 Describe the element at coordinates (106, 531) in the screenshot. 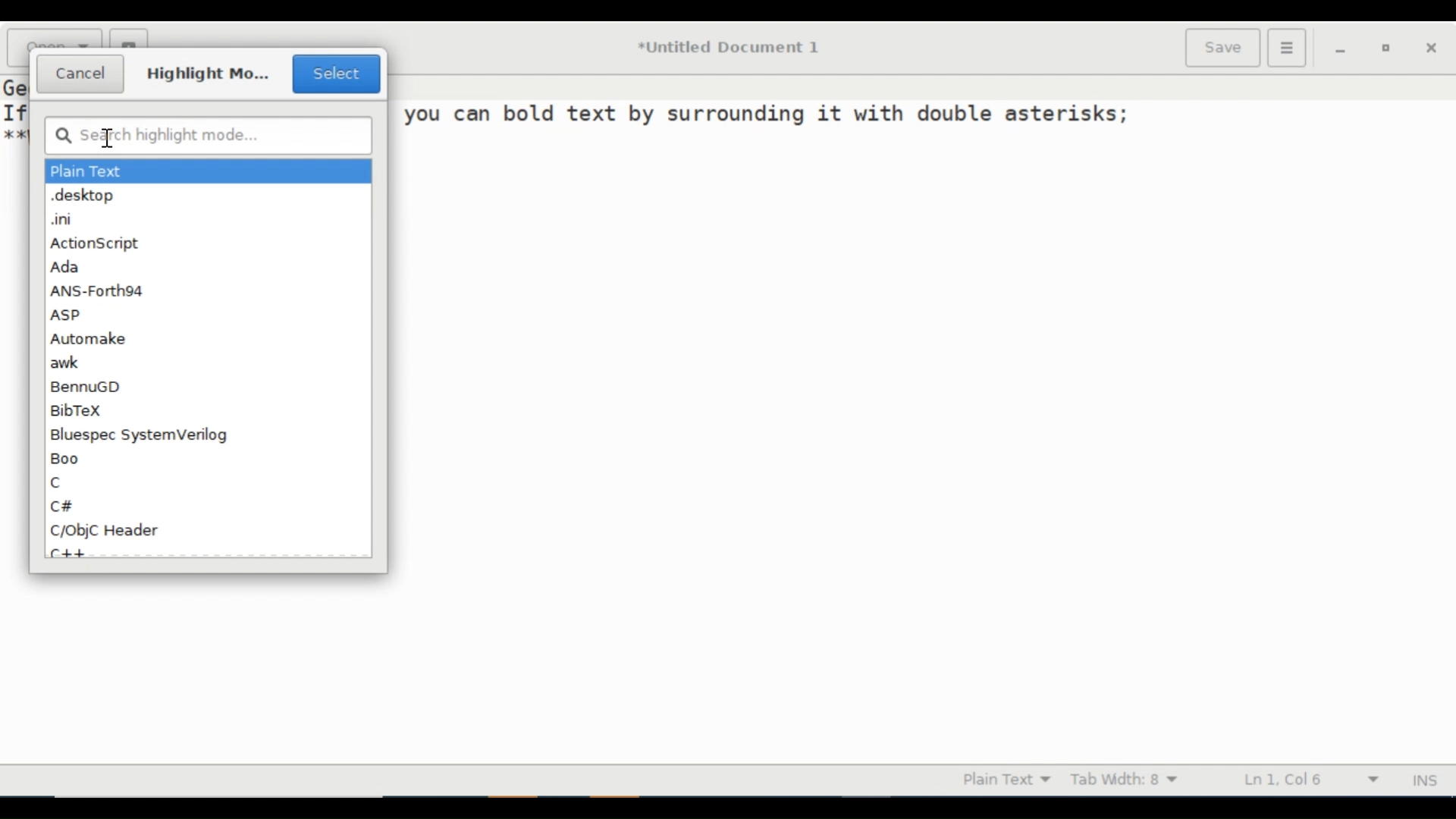

I see `C/ObjC Header` at that location.